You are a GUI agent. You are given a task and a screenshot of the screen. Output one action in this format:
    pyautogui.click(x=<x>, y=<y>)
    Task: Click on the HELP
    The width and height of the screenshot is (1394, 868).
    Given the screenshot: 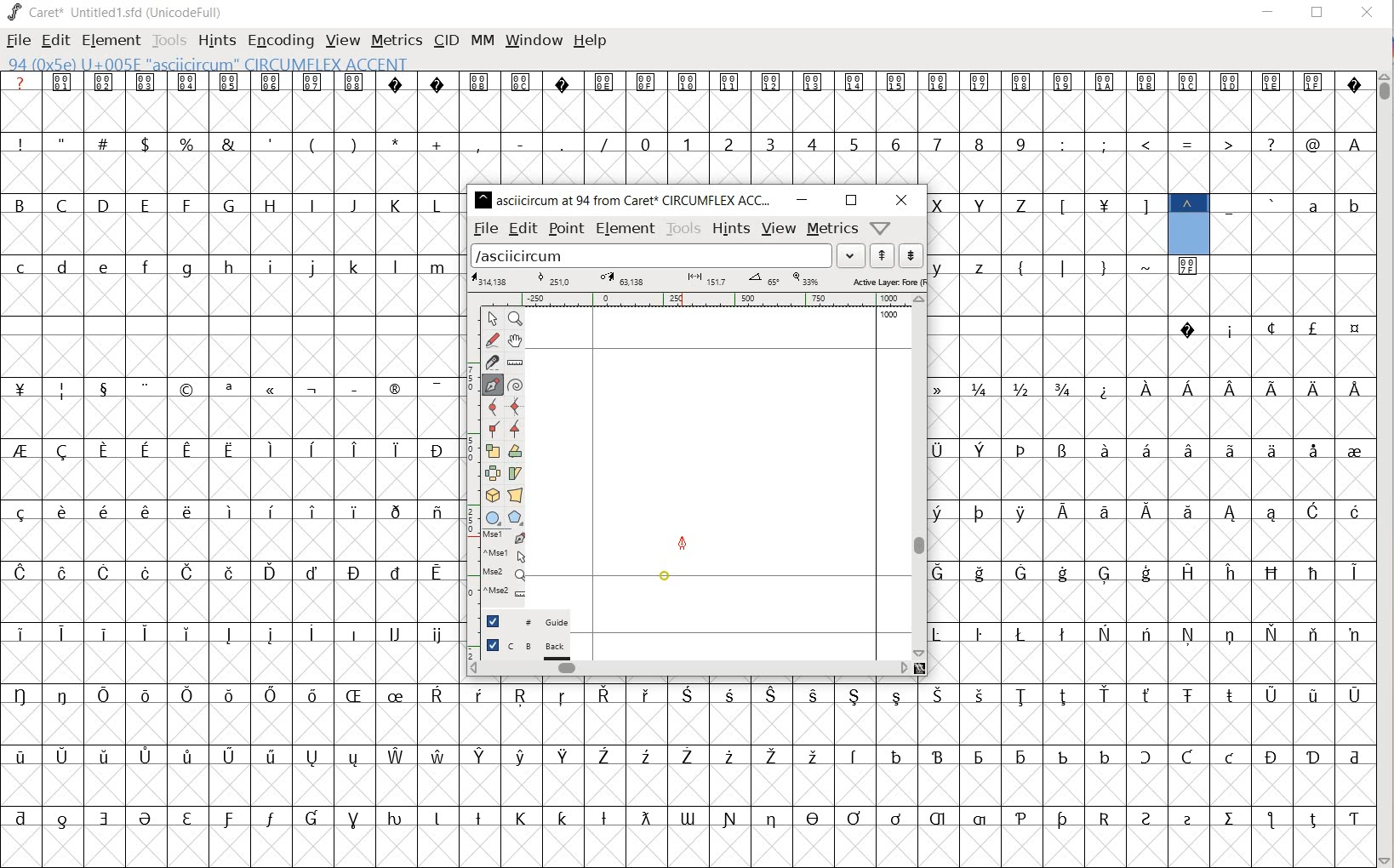 What is the action you would take?
    pyautogui.click(x=591, y=40)
    